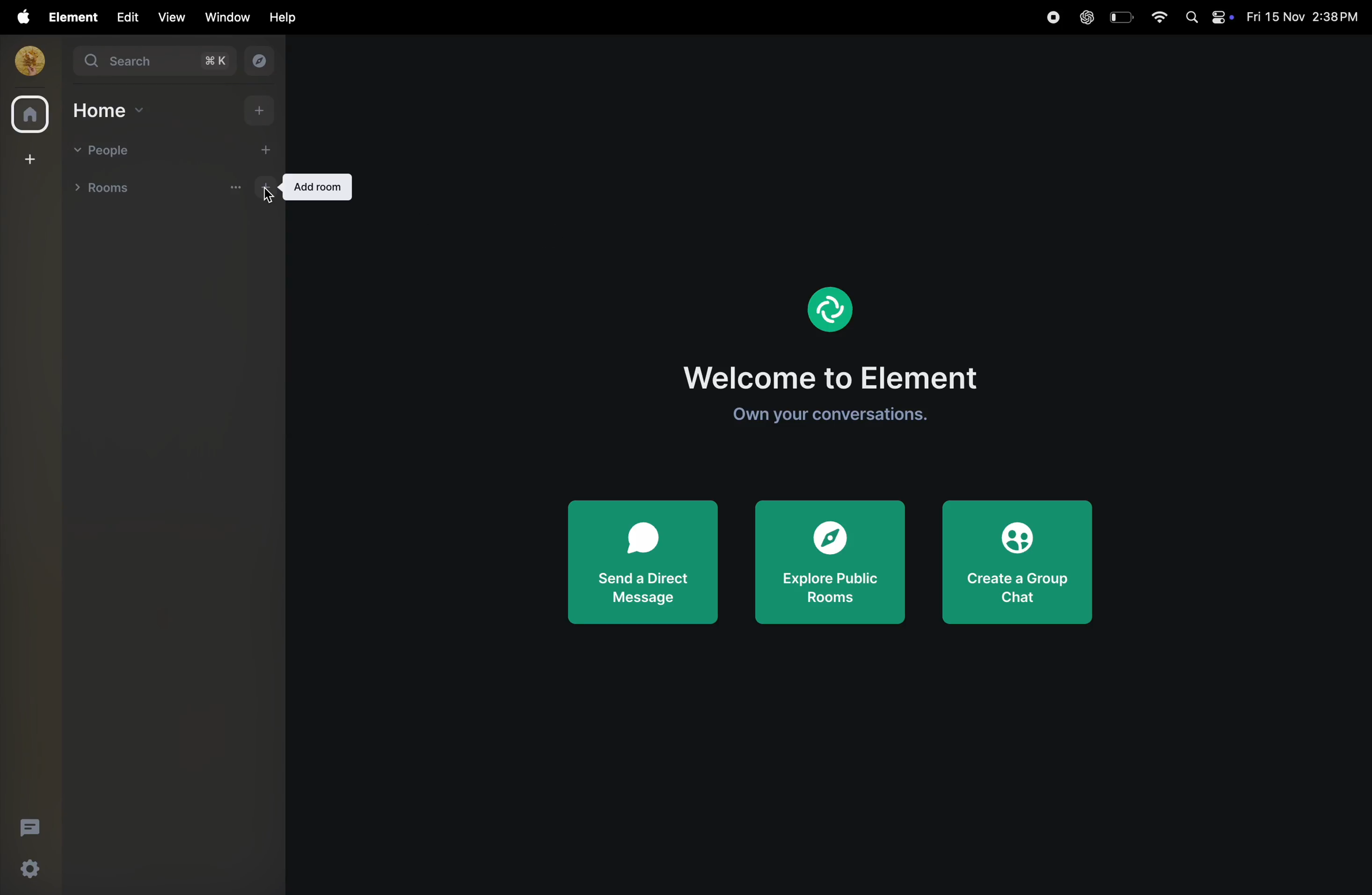 The width and height of the screenshot is (1372, 895). I want to click on window, so click(228, 17).